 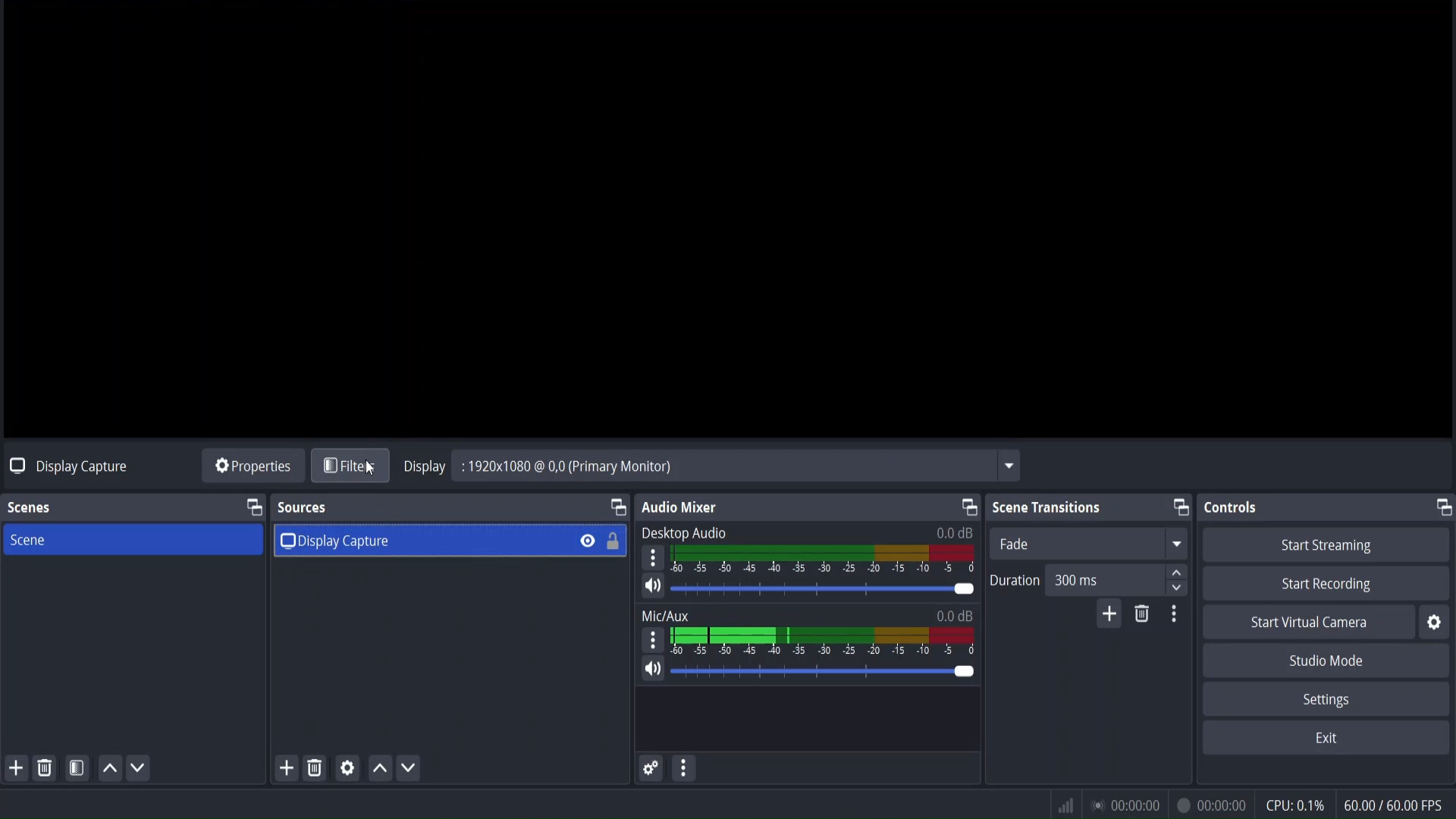 I want to click on settings, so click(x=1323, y=699).